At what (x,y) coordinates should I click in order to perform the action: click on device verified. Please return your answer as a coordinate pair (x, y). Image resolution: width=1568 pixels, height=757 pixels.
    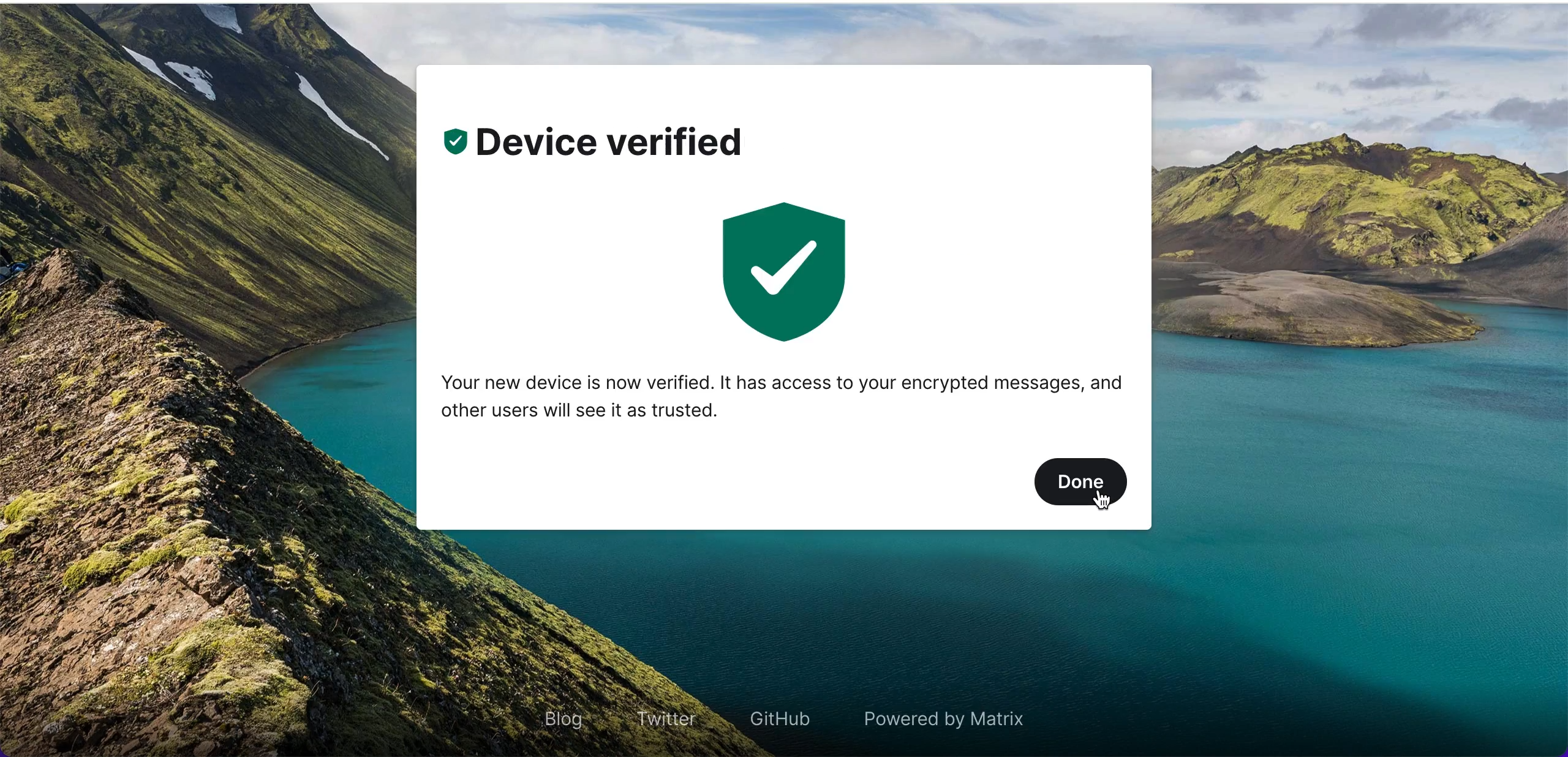
    Looking at the image, I should click on (619, 146).